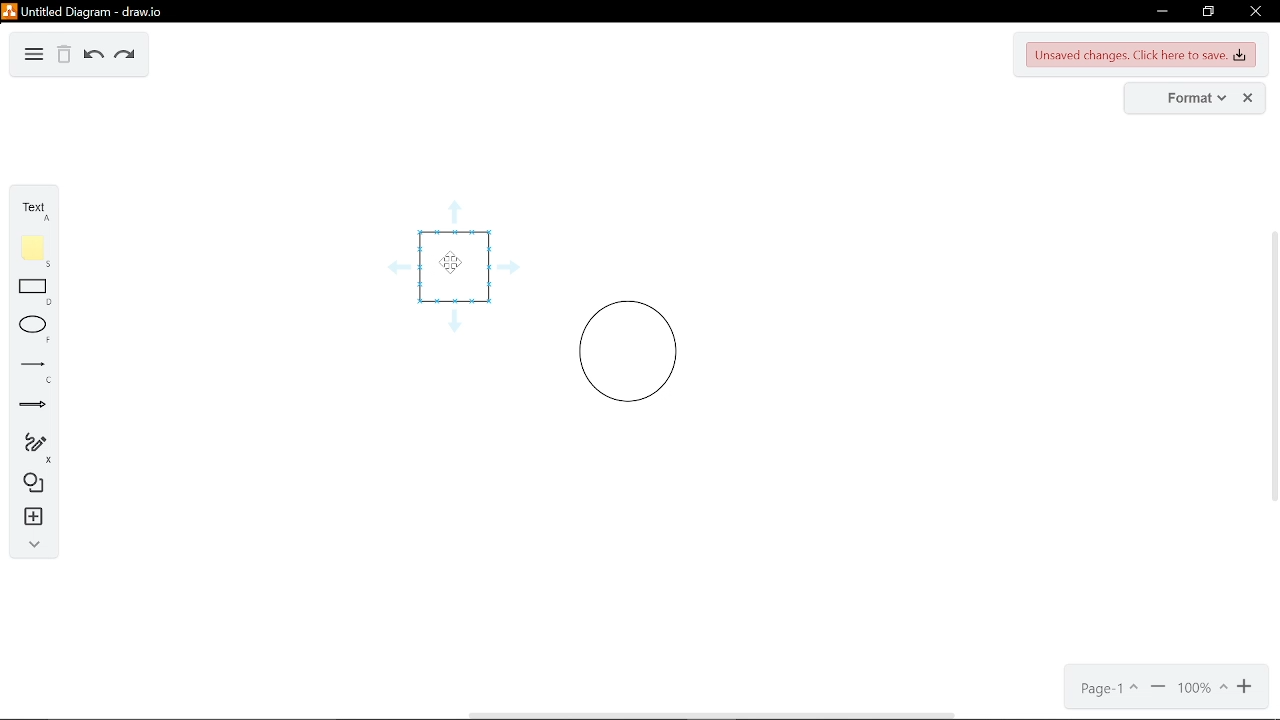 The width and height of the screenshot is (1280, 720). Describe the element at coordinates (710, 715) in the screenshot. I see `horizontal scrollbar` at that location.